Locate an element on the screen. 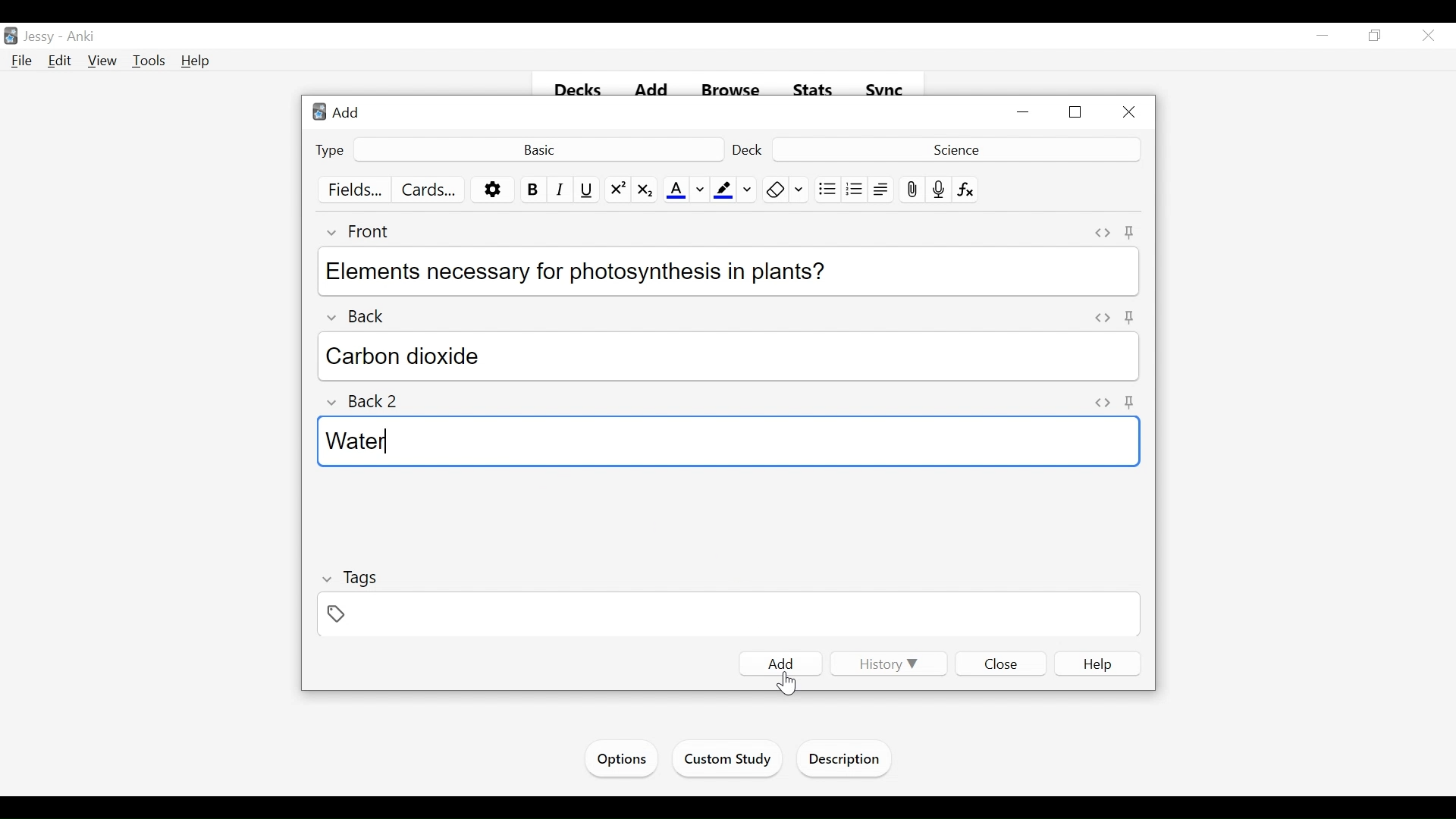 This screenshot has height=819, width=1456. Deck is located at coordinates (749, 149).